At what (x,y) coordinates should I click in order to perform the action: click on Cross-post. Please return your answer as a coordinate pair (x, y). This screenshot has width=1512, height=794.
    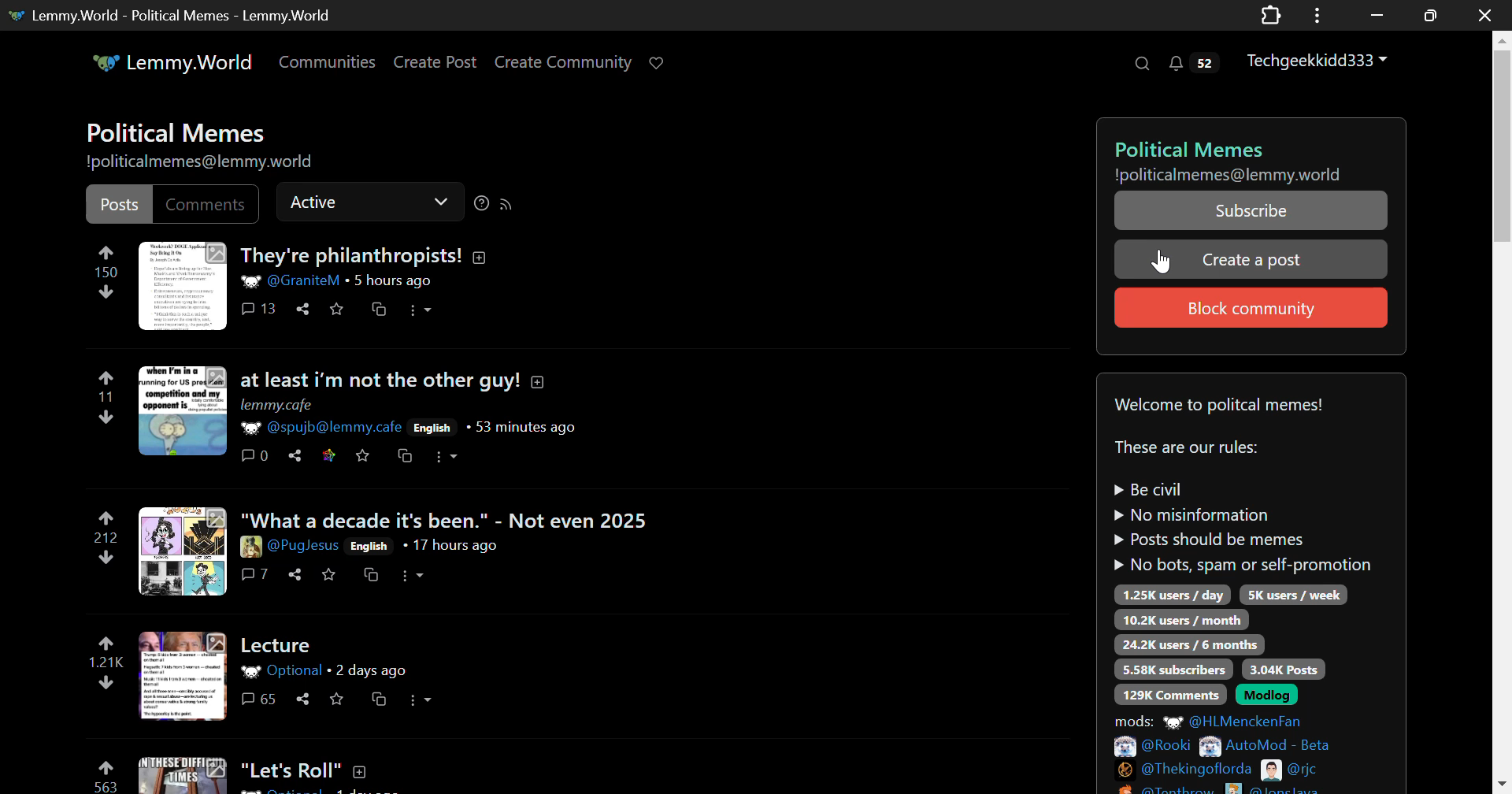
    Looking at the image, I should click on (373, 575).